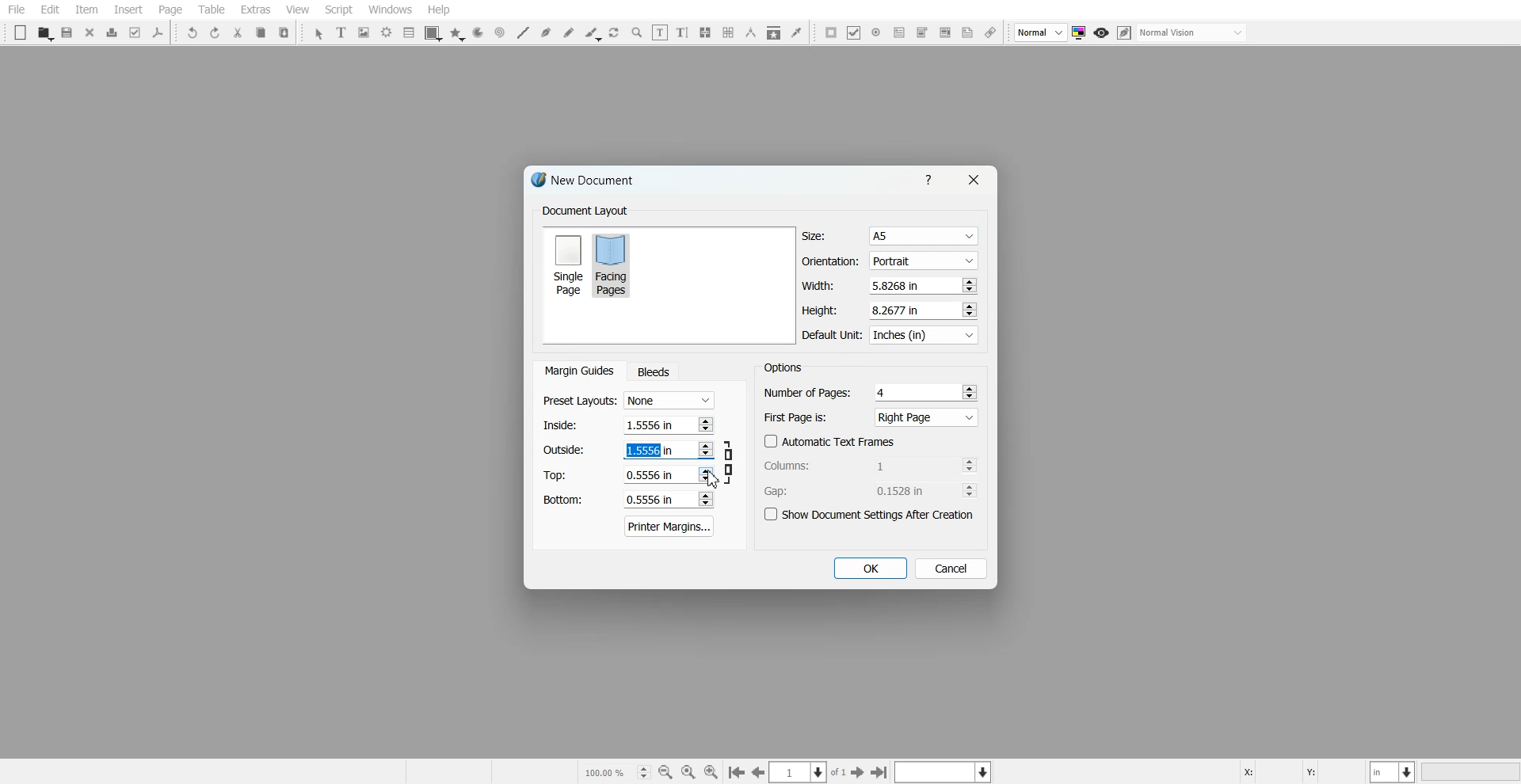 The image size is (1521, 784). What do you see at coordinates (871, 392) in the screenshot?
I see `Number of Pages` at bounding box center [871, 392].